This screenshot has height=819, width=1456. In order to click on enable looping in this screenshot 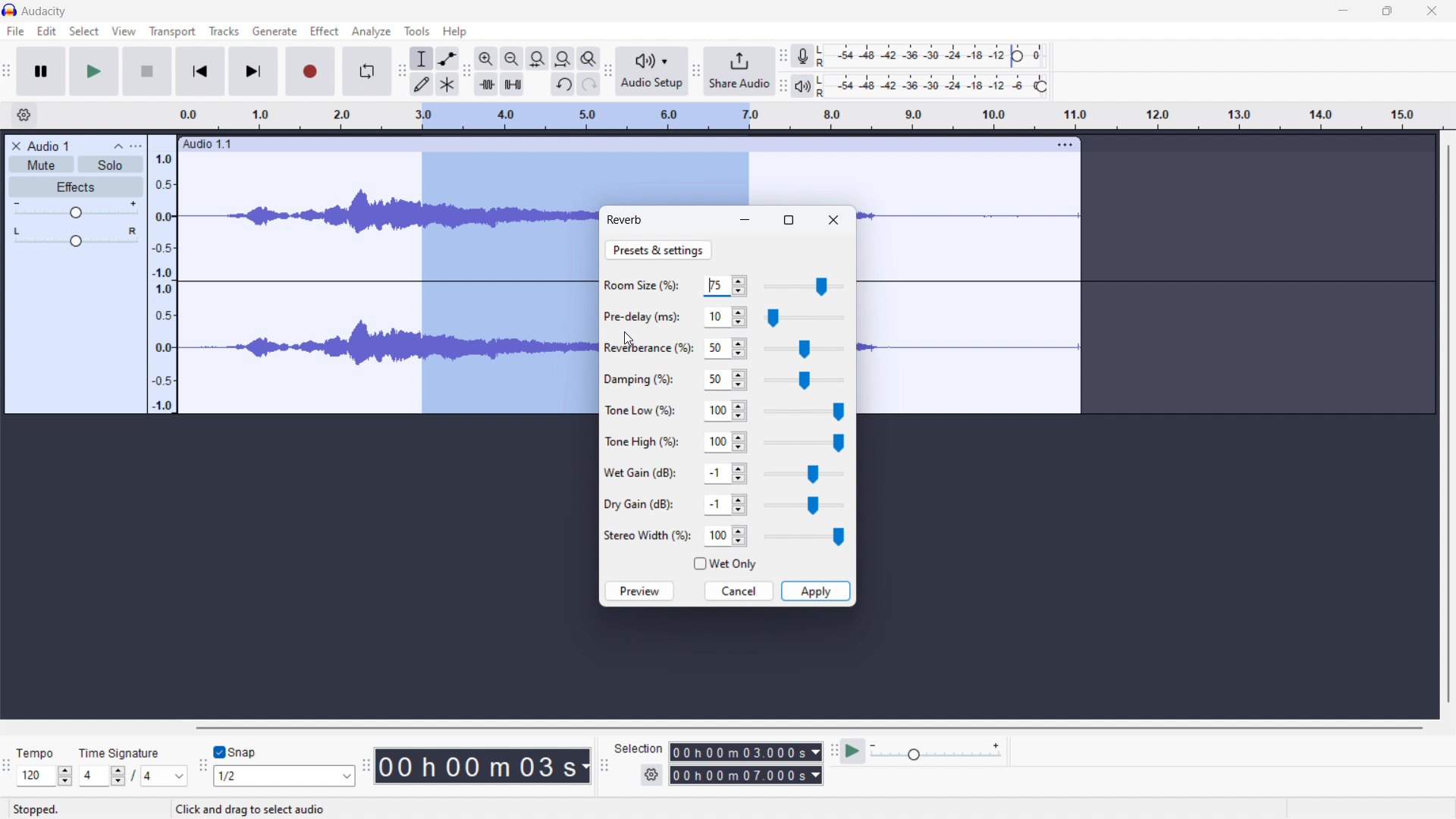, I will do `click(366, 72)`.